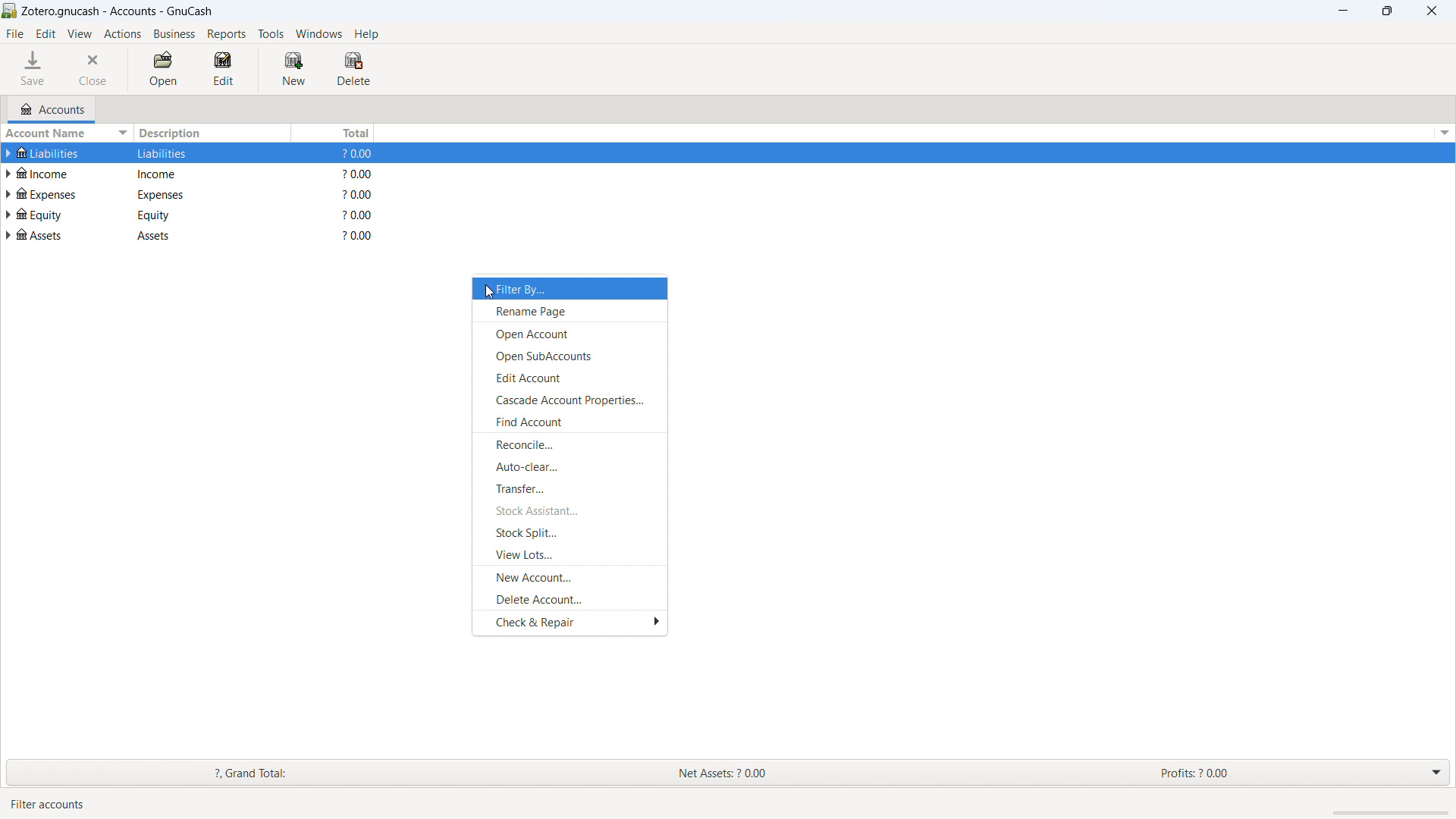 This screenshot has width=1456, height=819. What do you see at coordinates (356, 236) in the screenshot?
I see `?0.00` at bounding box center [356, 236].